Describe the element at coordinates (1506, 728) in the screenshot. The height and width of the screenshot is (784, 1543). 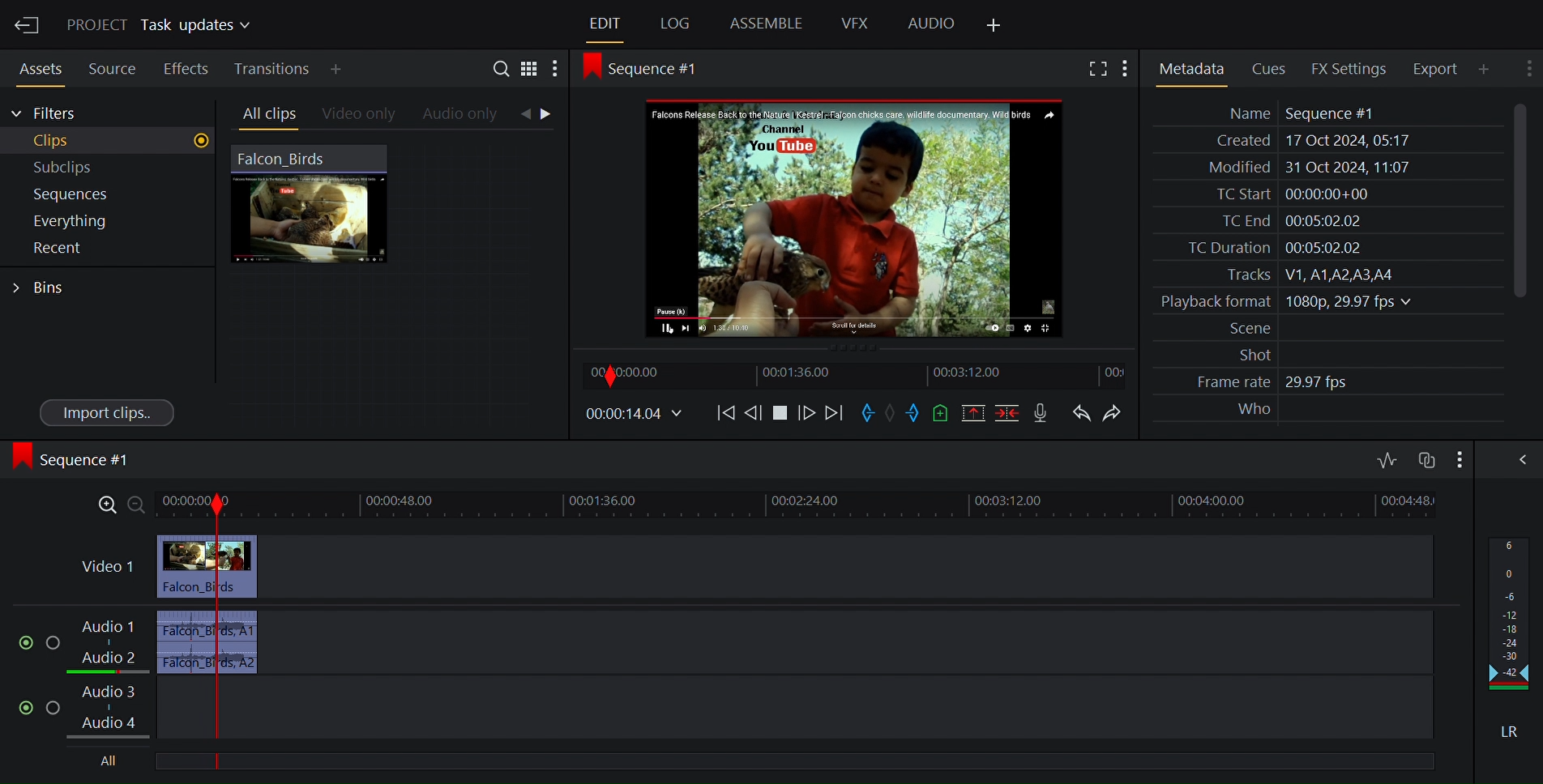
I see `LR` at that location.